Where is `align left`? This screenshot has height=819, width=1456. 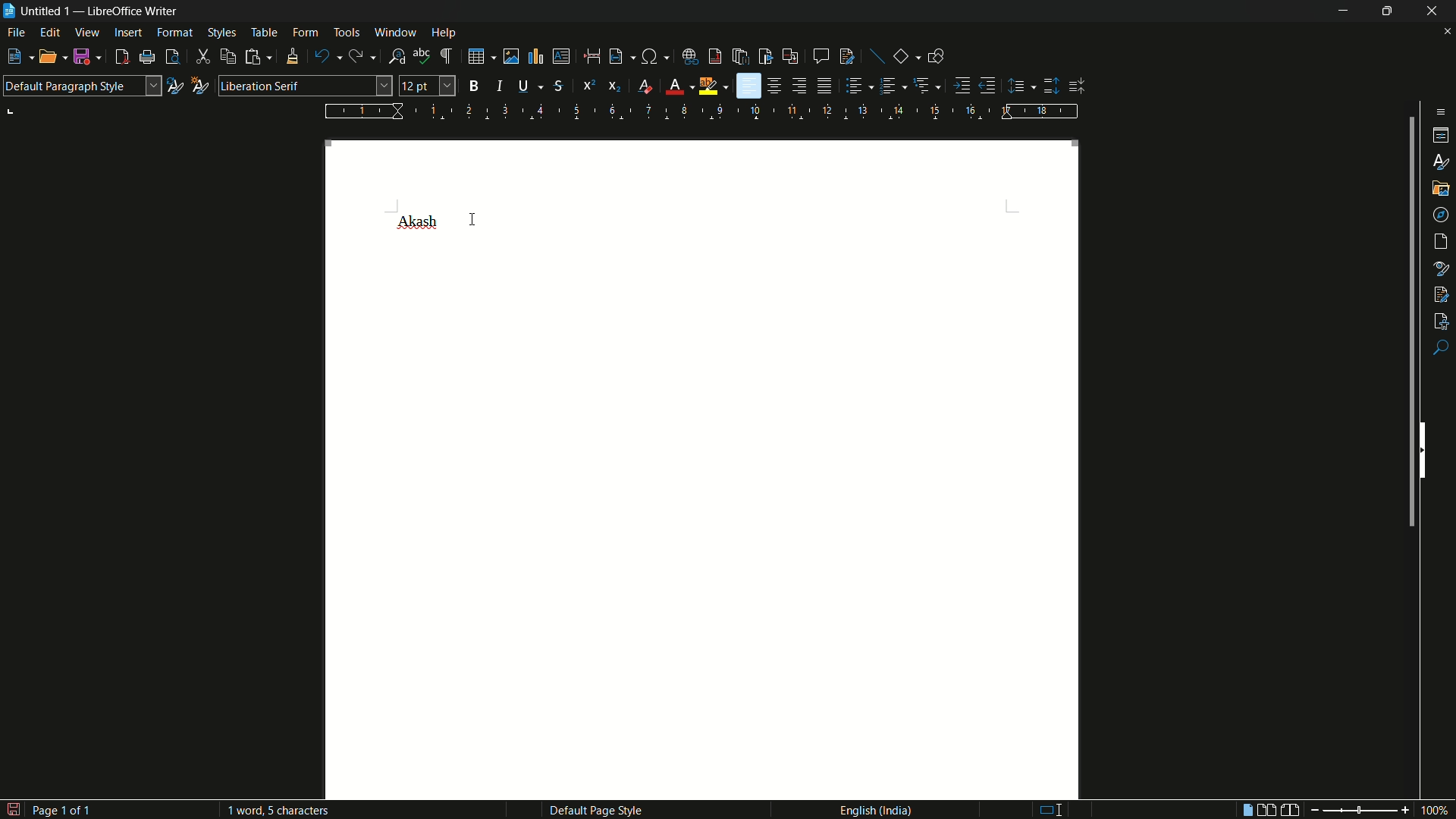 align left is located at coordinates (748, 86).